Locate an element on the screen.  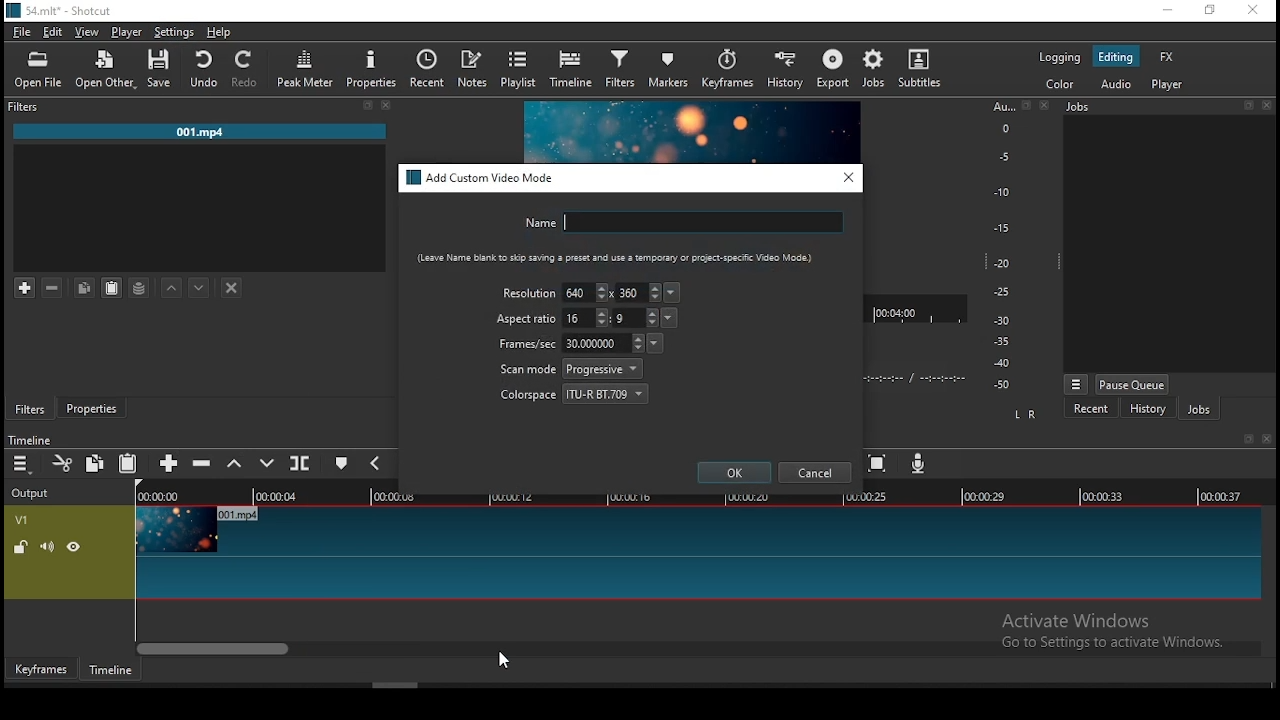
markers is located at coordinates (670, 67).